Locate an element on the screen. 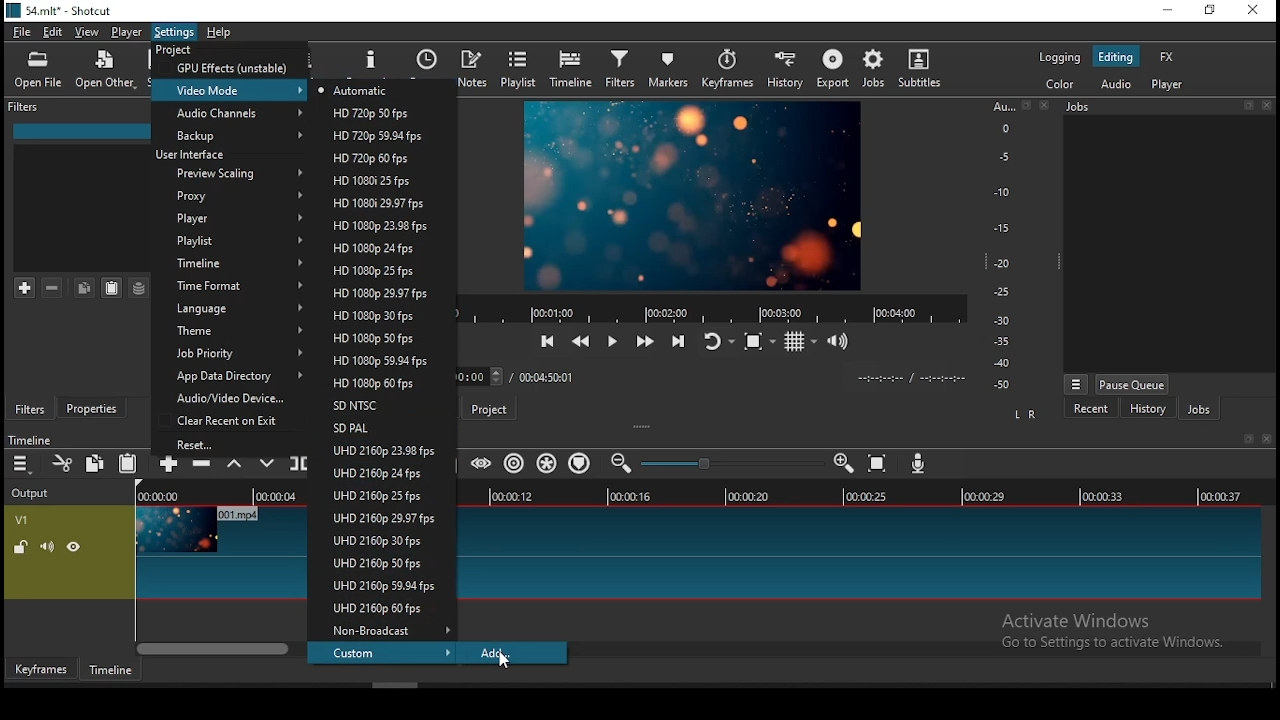 This screenshot has height=720, width=1280. split at playhead is located at coordinates (299, 465).